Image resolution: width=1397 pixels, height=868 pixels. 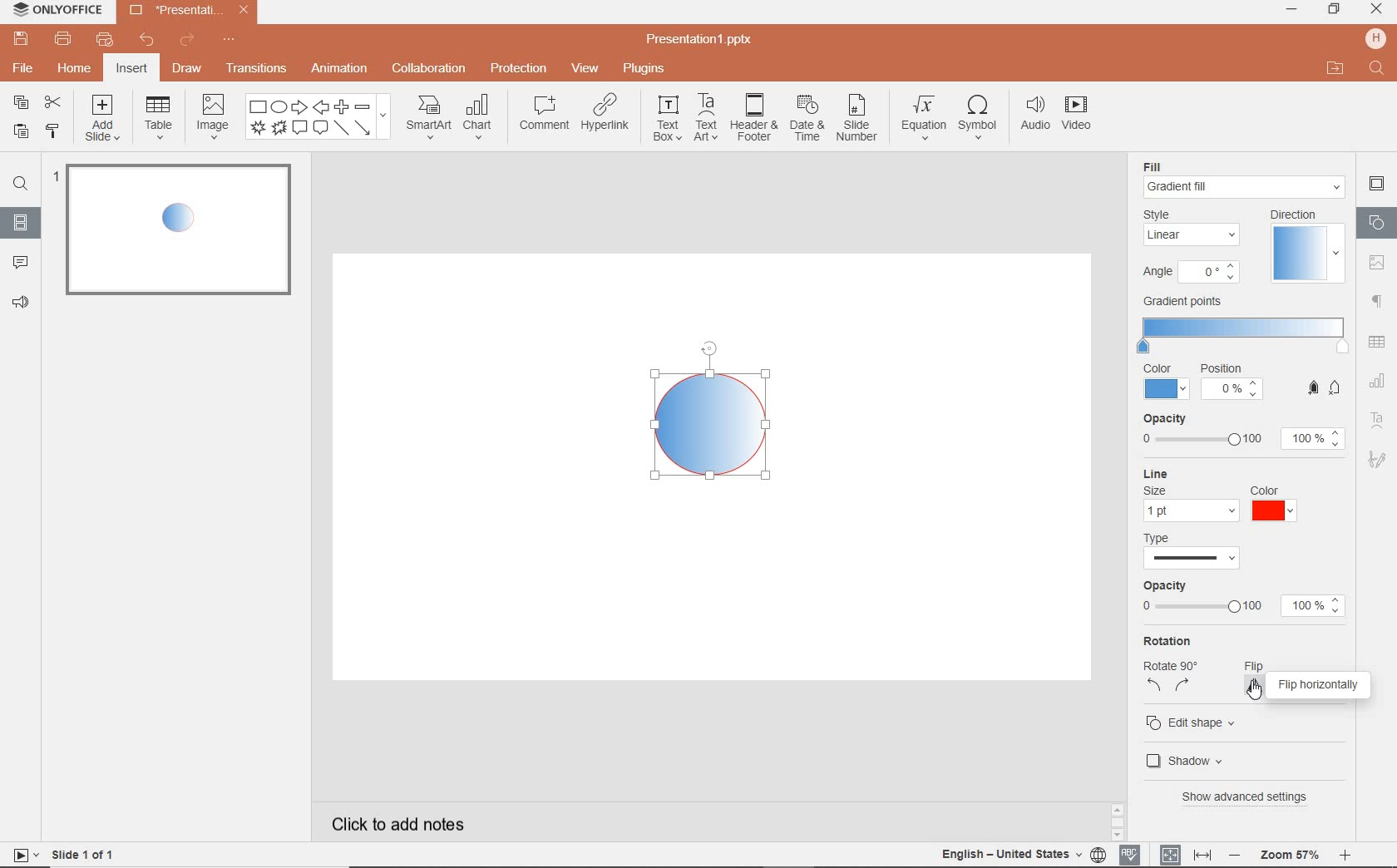 I want to click on style, so click(x=1194, y=228).